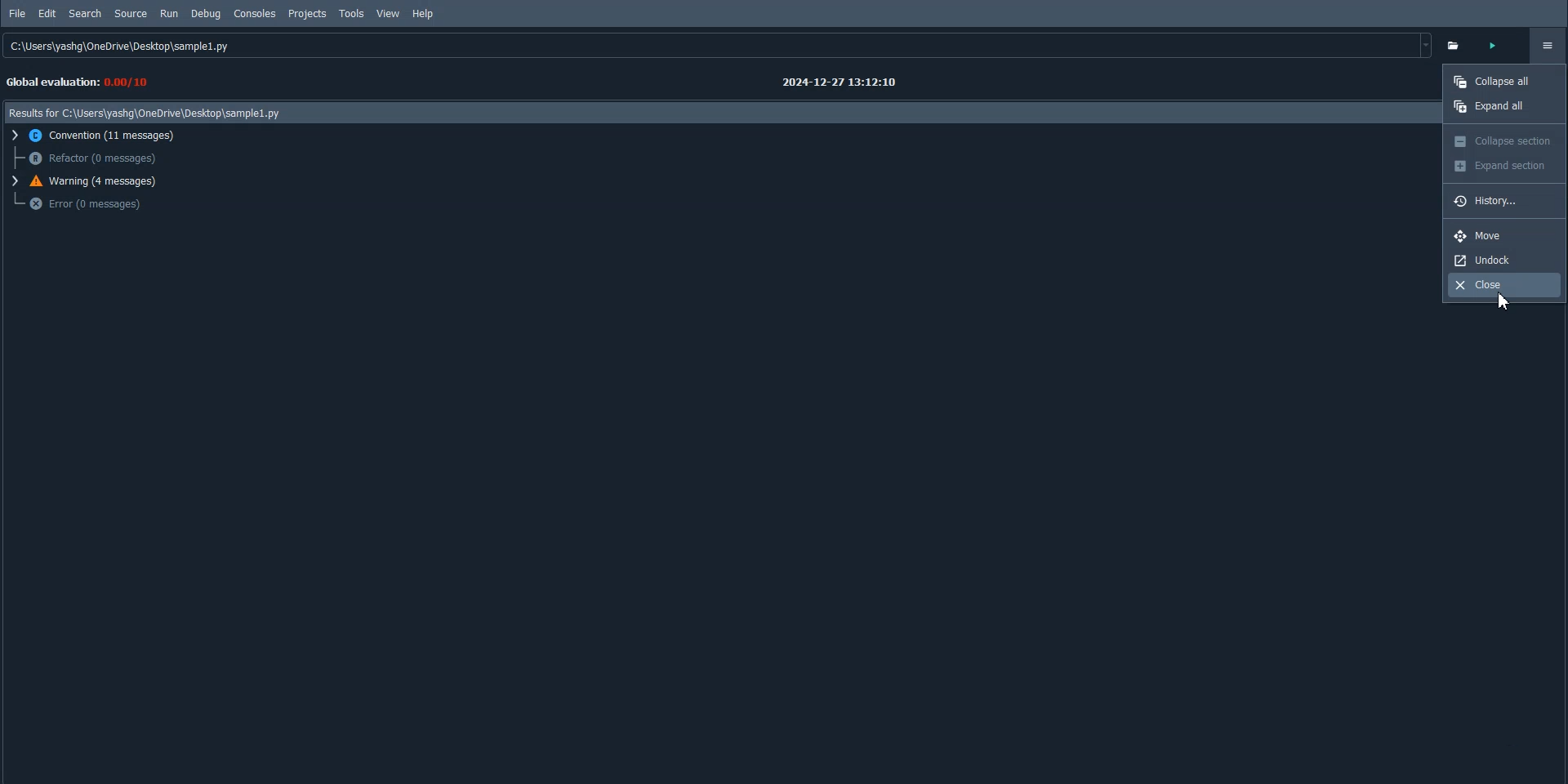 The height and width of the screenshot is (784, 1568). What do you see at coordinates (307, 14) in the screenshot?
I see `Projects` at bounding box center [307, 14].